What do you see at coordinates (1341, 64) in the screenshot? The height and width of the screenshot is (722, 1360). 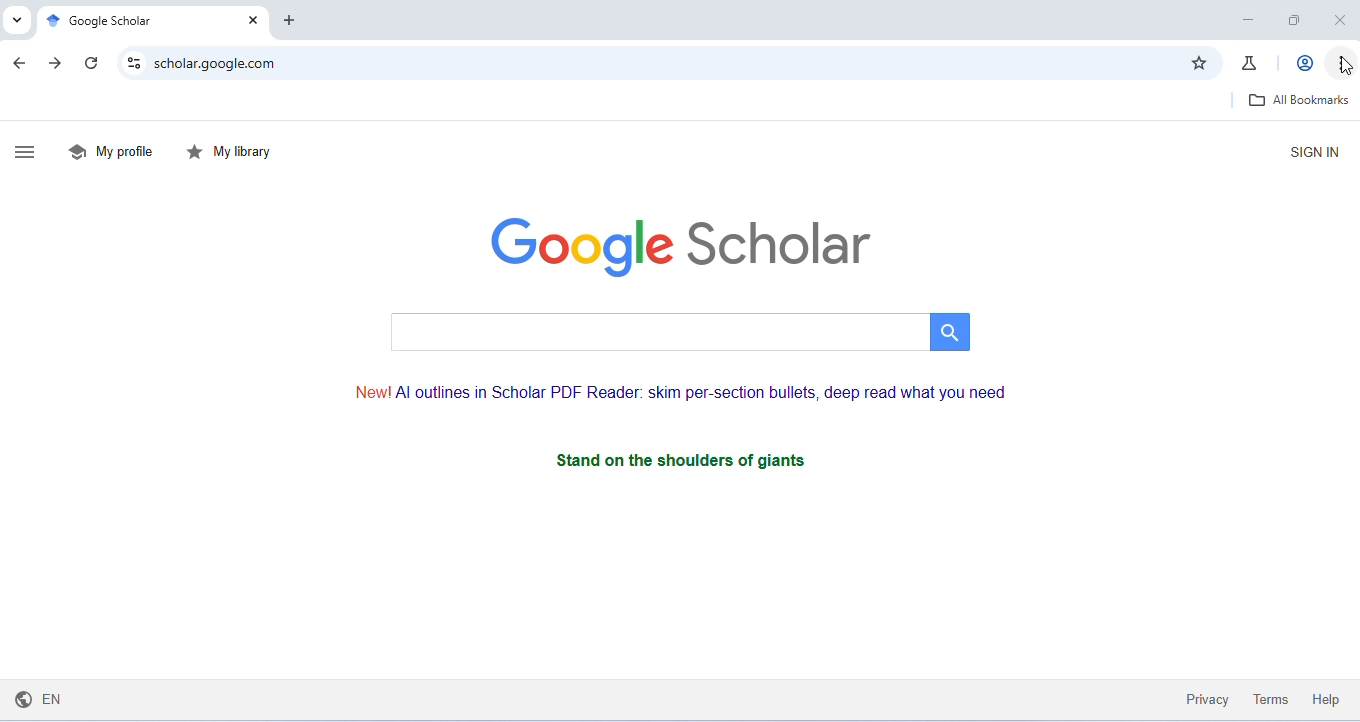 I see `customize and control chromium` at bounding box center [1341, 64].